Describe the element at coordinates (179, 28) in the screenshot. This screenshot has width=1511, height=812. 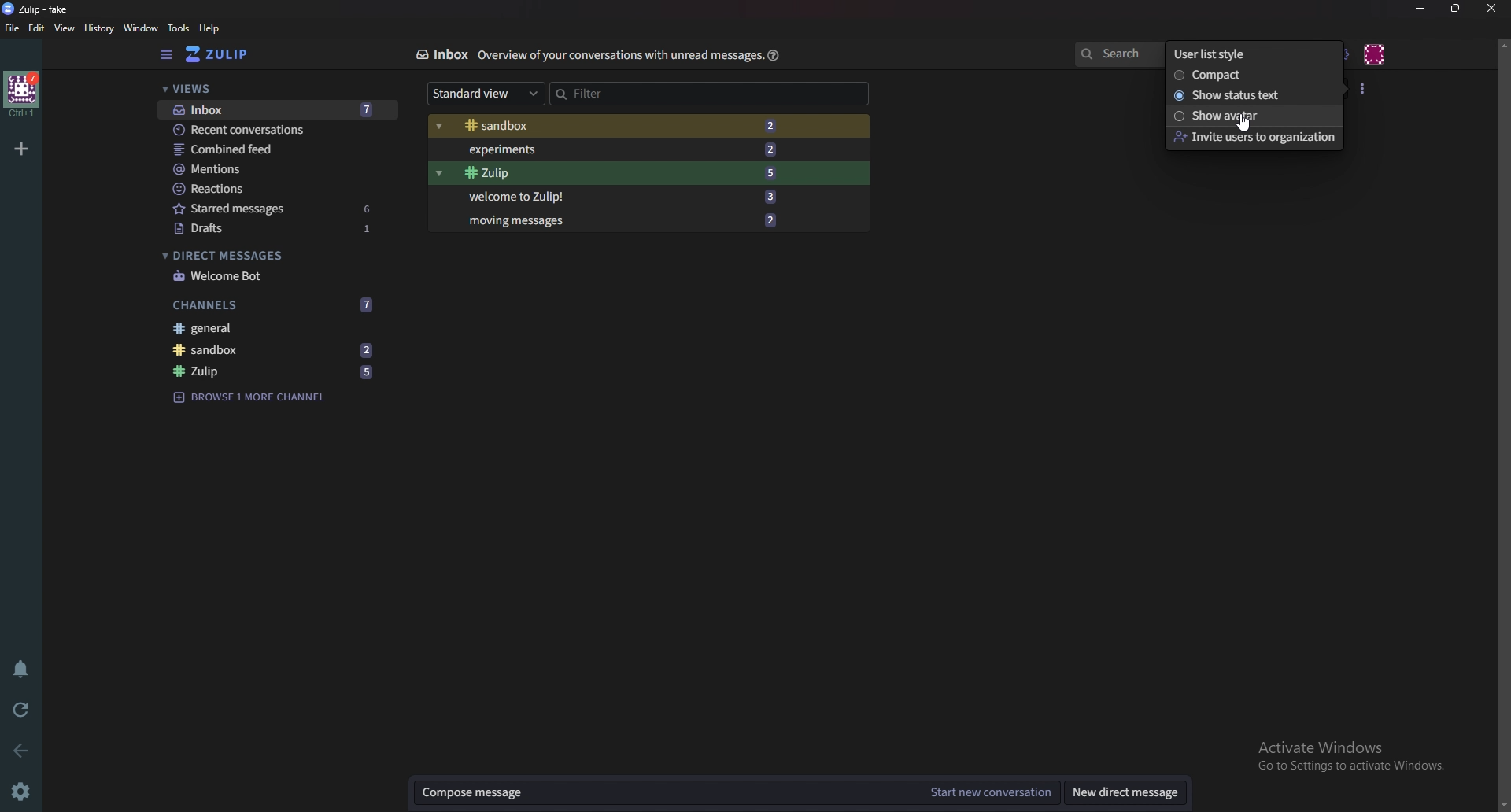
I see `Tools` at that location.